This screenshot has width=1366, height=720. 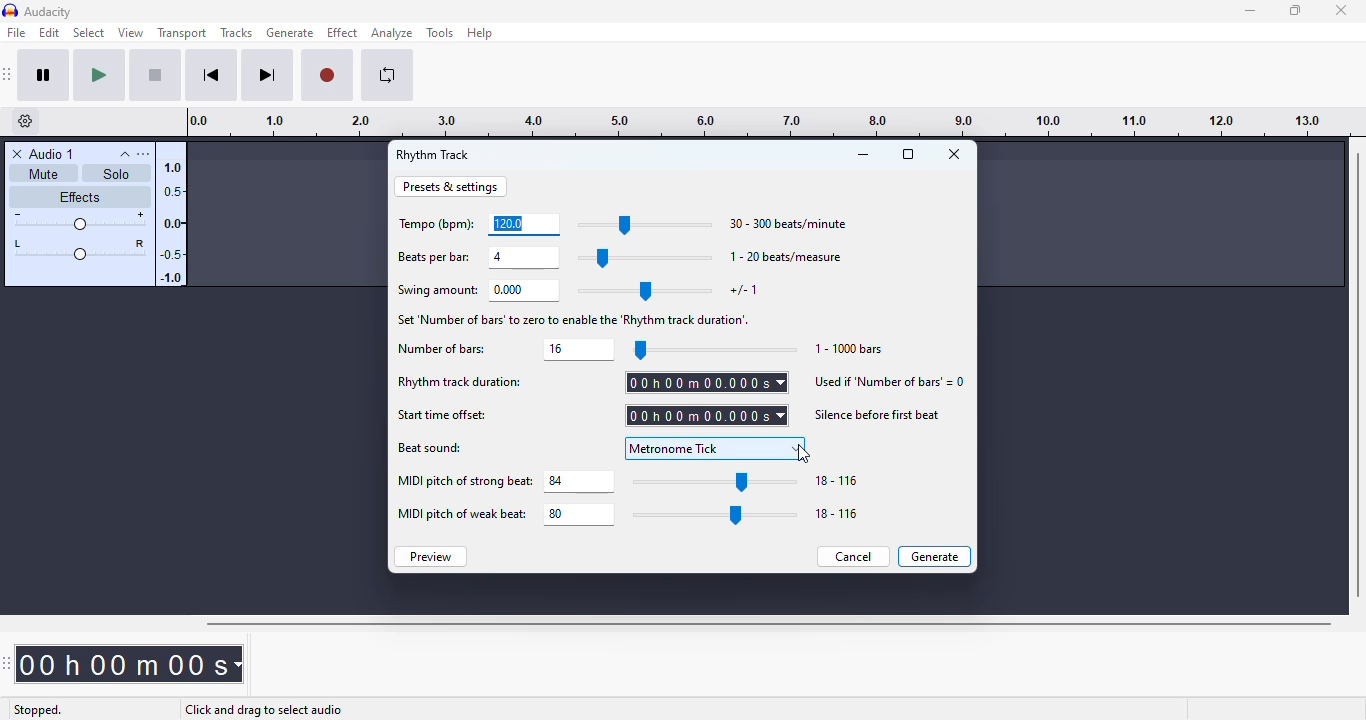 I want to click on amplitude, so click(x=171, y=219).